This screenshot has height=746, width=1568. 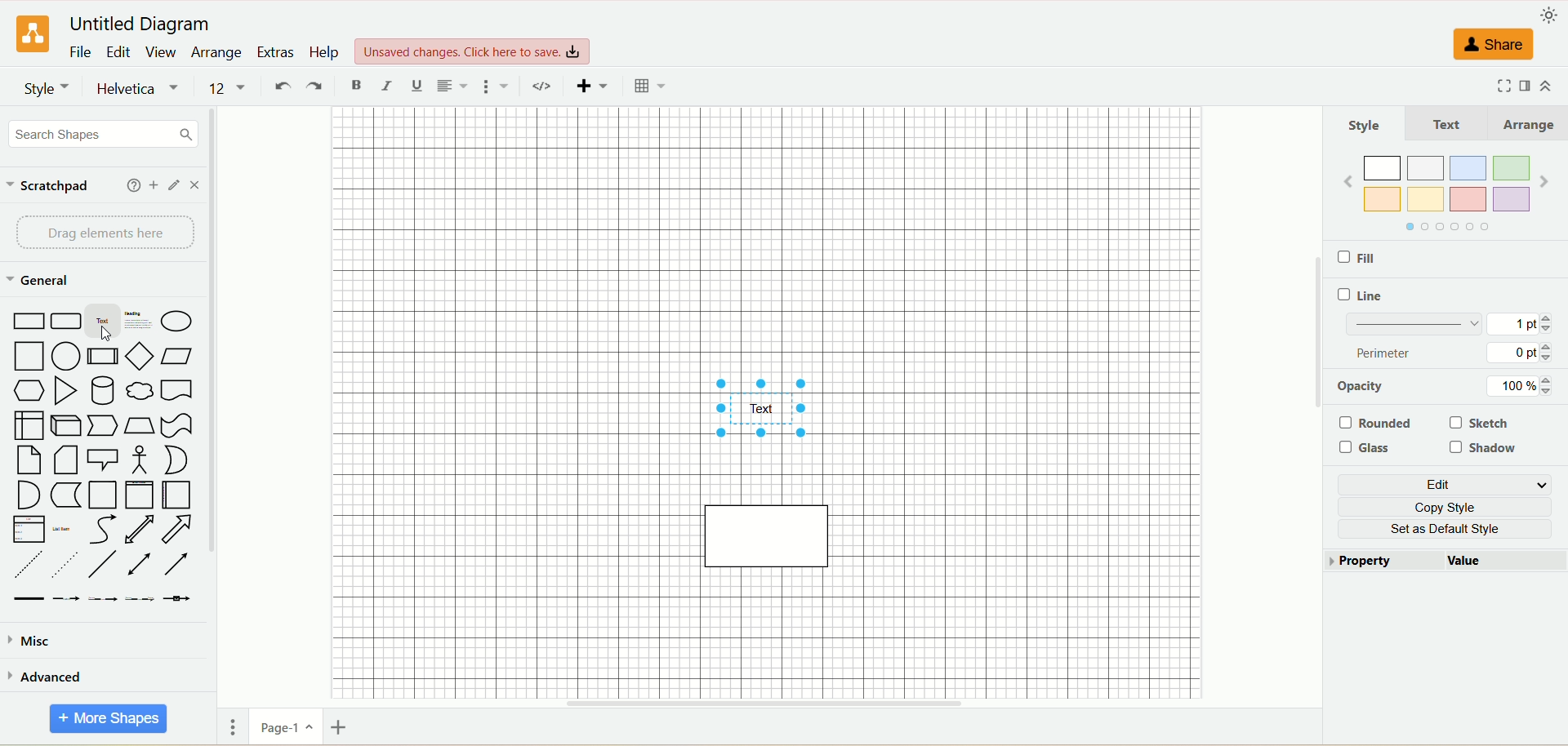 I want to click on text box, so click(x=140, y=321).